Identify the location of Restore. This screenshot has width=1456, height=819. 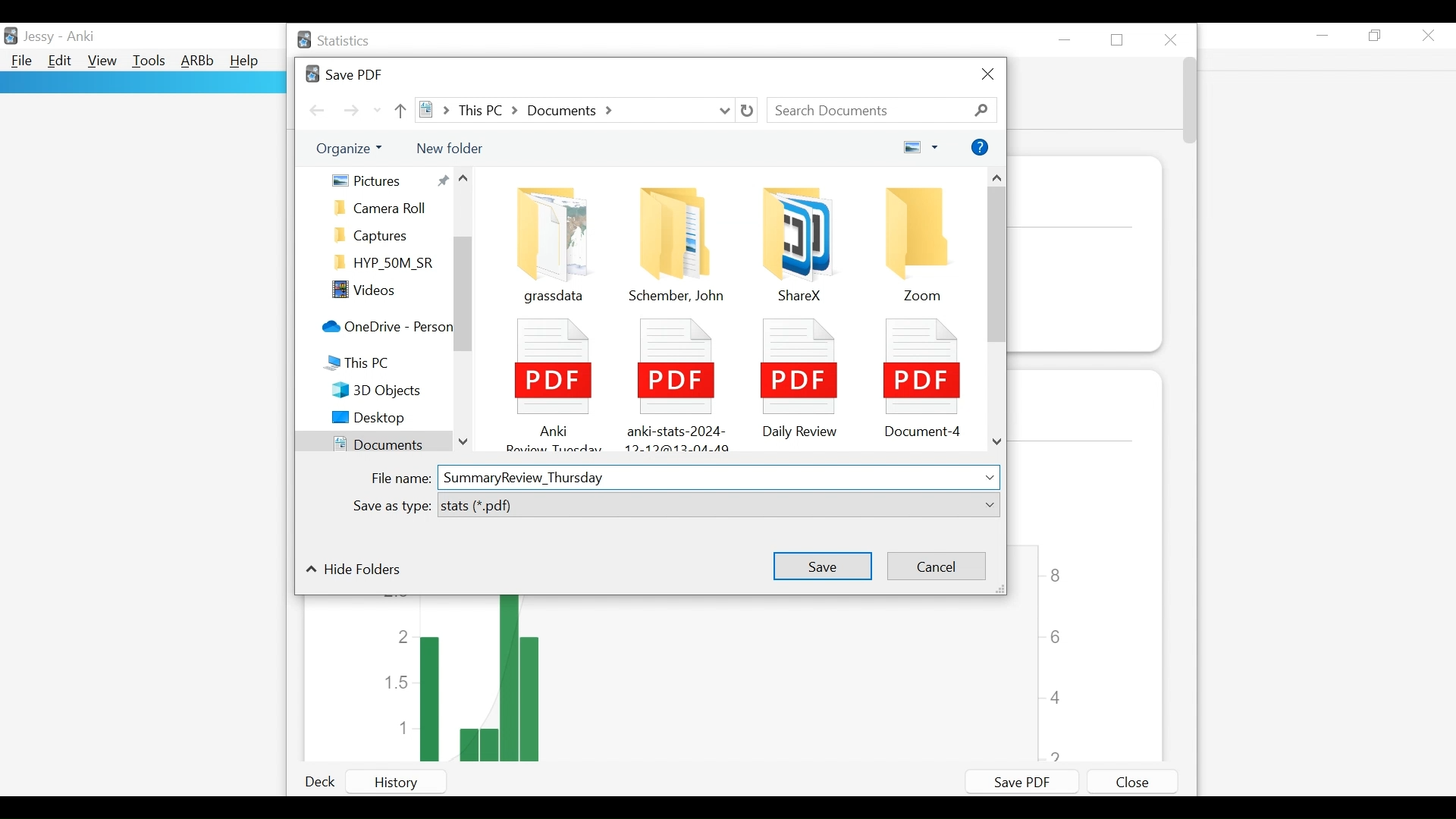
(1120, 39).